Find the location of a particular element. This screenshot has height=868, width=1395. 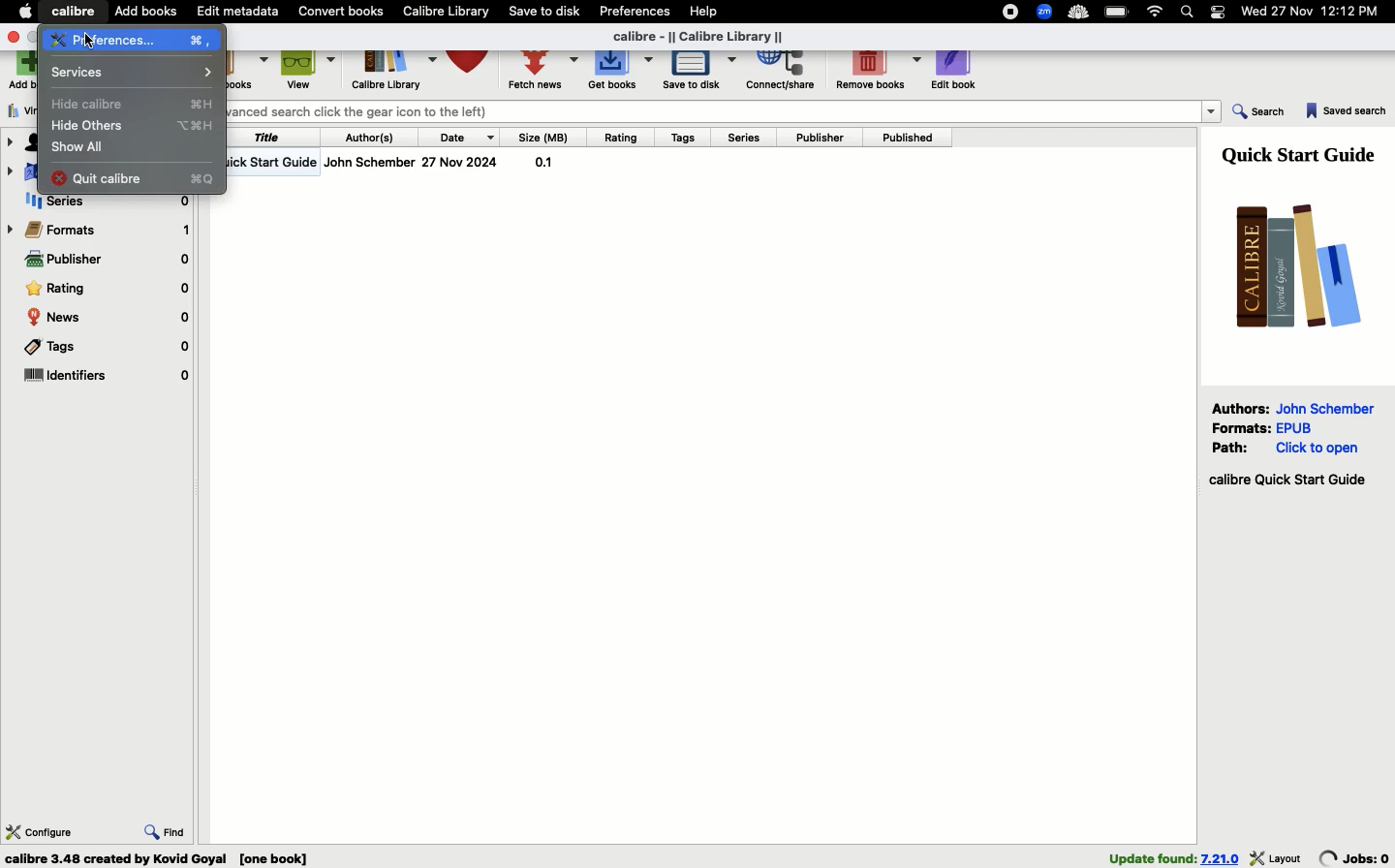

Series is located at coordinates (104, 202).